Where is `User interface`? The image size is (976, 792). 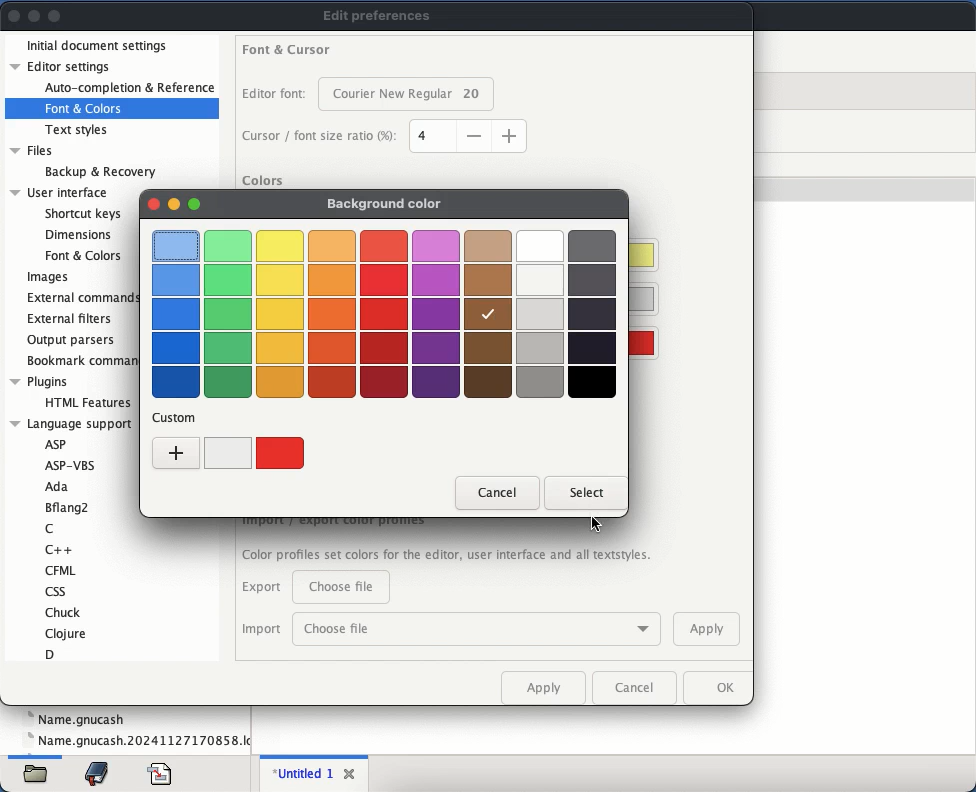 User interface is located at coordinates (60, 192).